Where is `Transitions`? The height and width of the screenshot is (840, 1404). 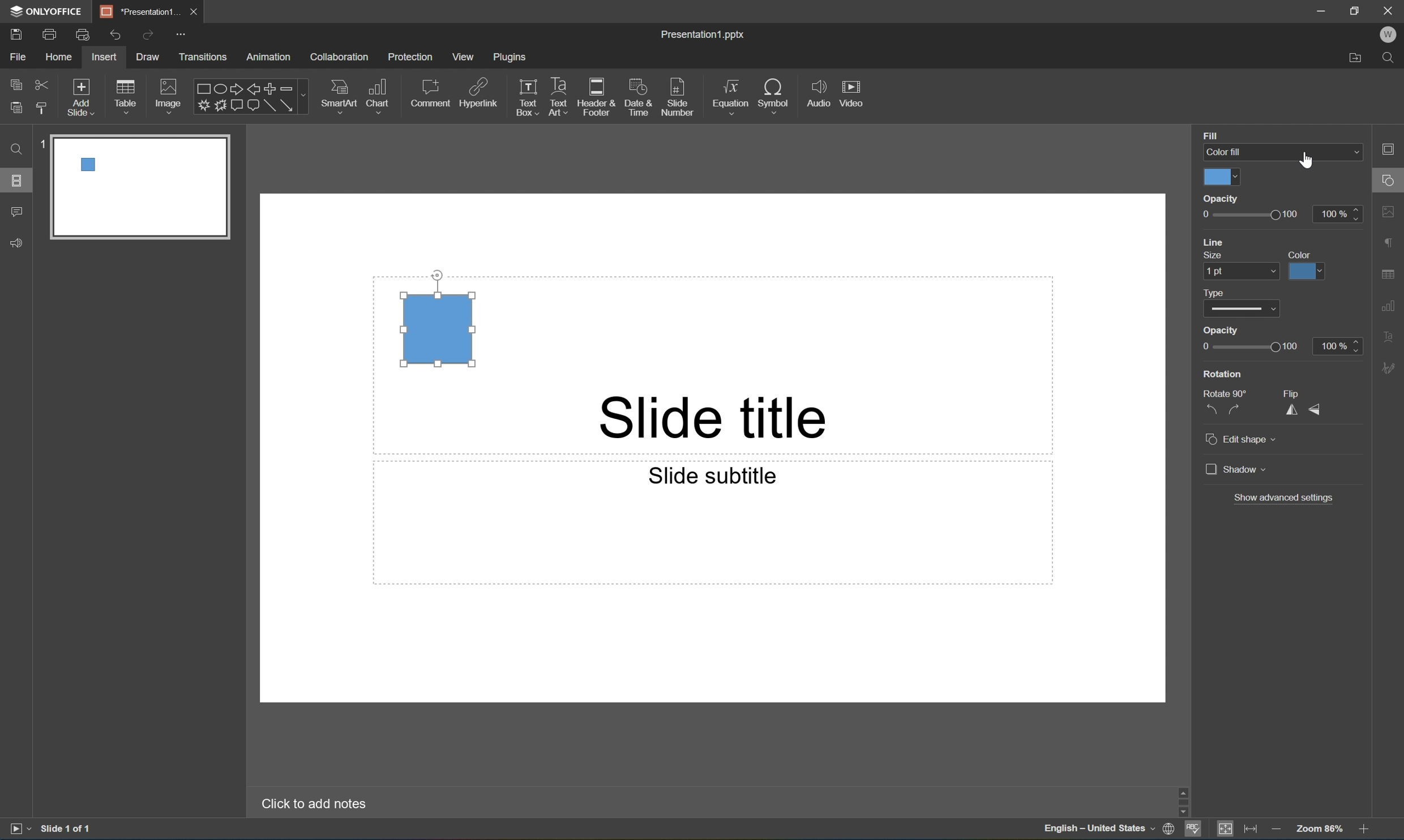
Transitions is located at coordinates (203, 58).